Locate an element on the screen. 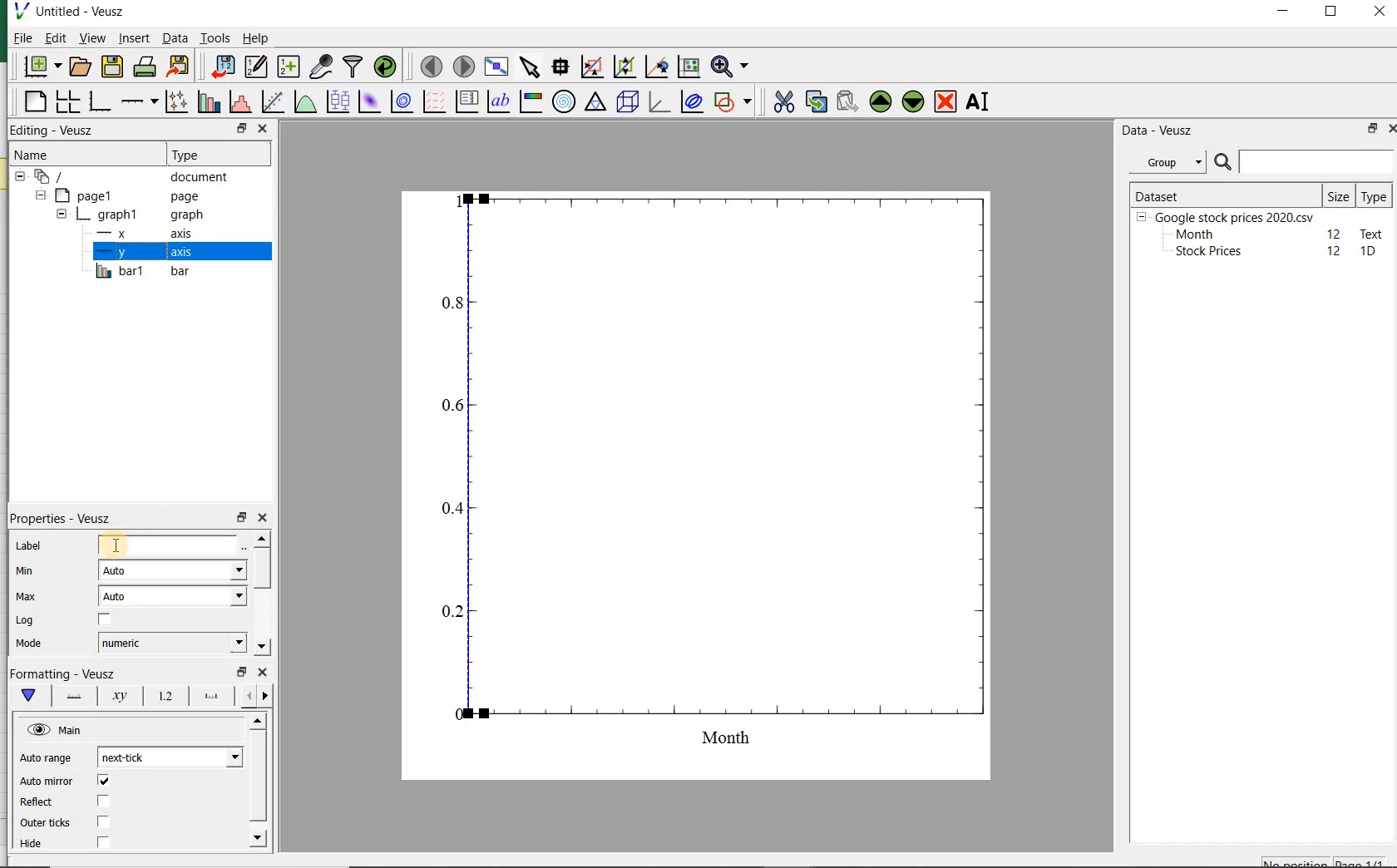 This screenshot has width=1397, height=868. create new datasets is located at coordinates (289, 67).